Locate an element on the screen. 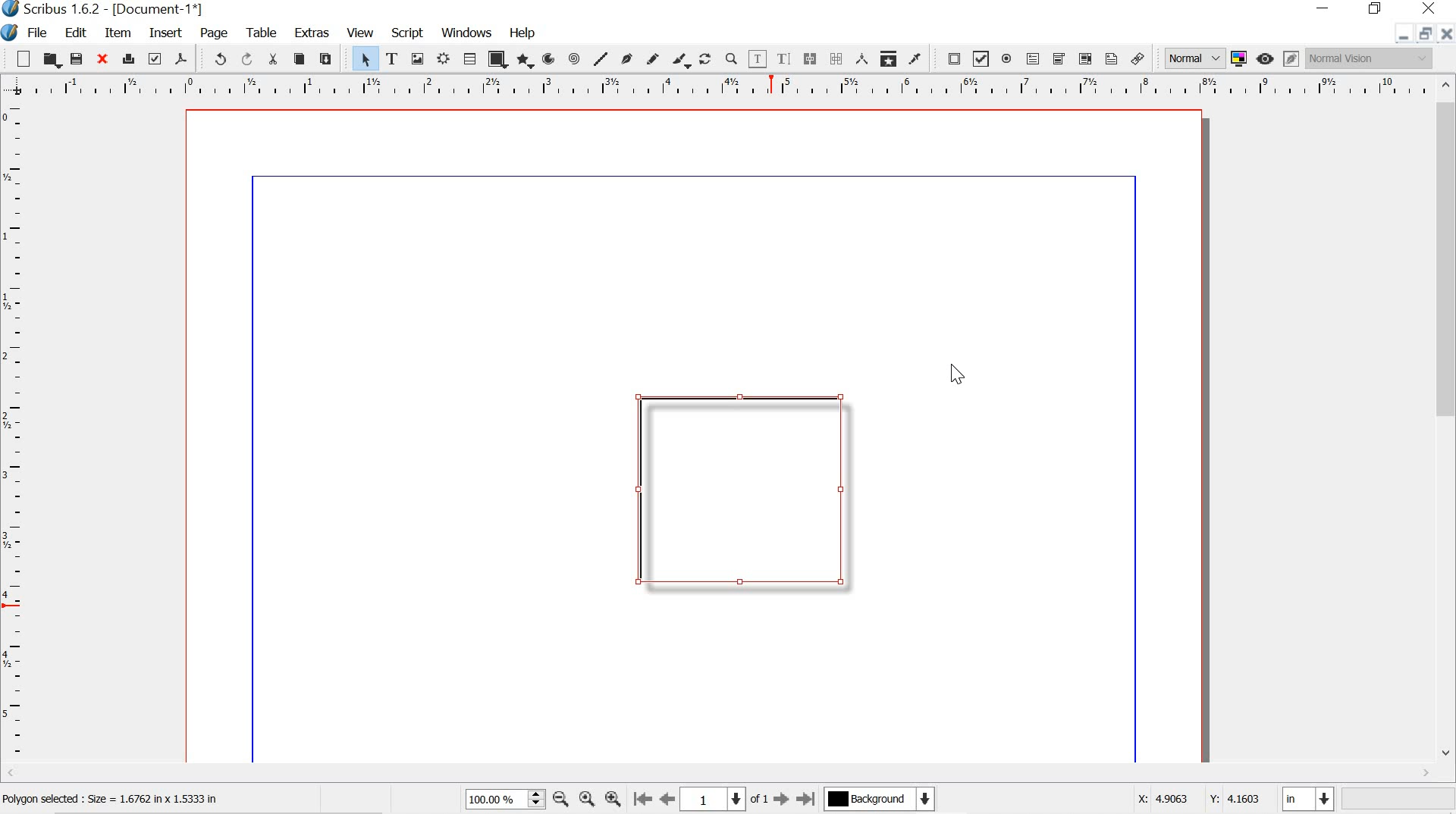 The height and width of the screenshot is (814, 1456). go the last page is located at coordinates (807, 797).